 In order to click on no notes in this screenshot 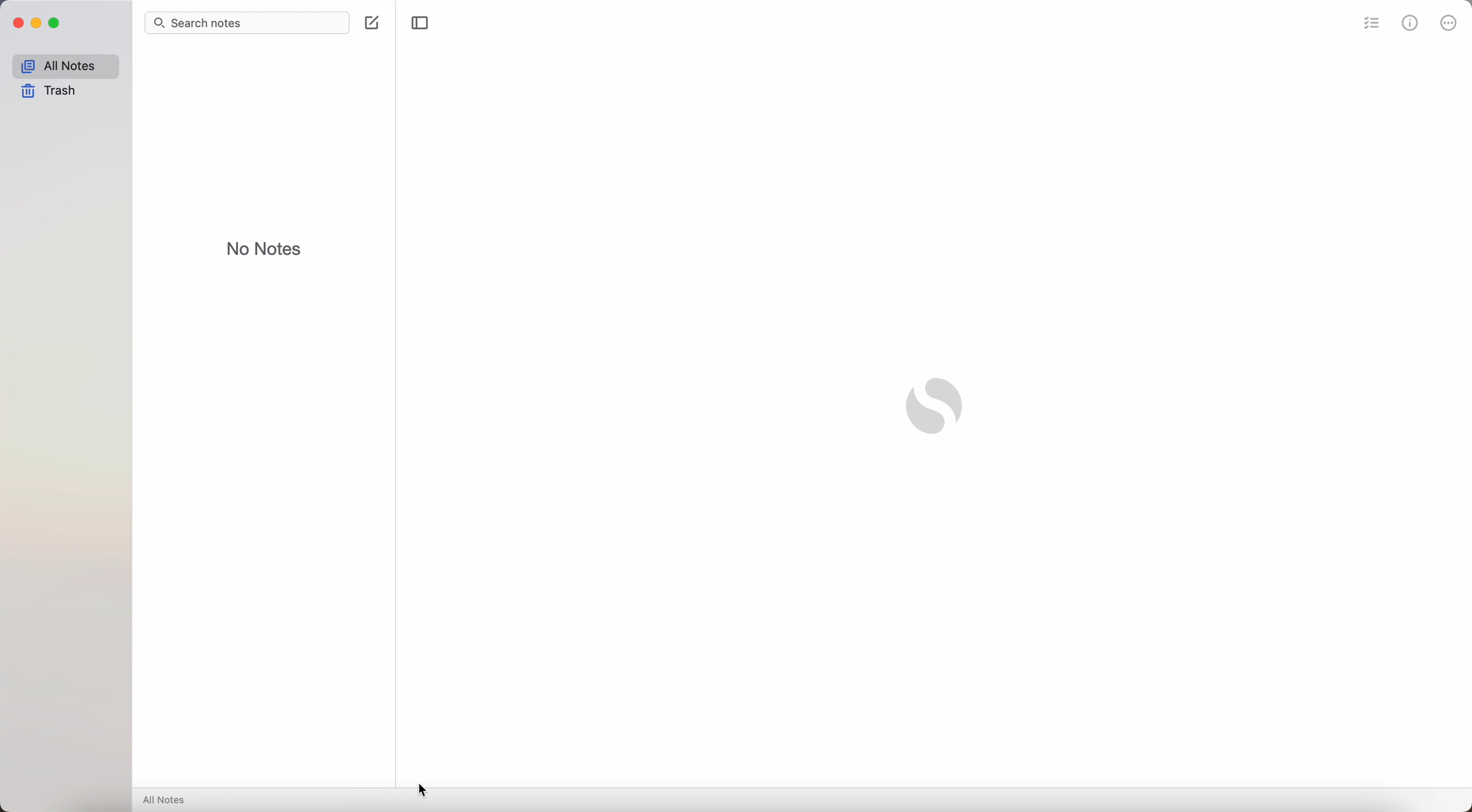, I will do `click(265, 247)`.